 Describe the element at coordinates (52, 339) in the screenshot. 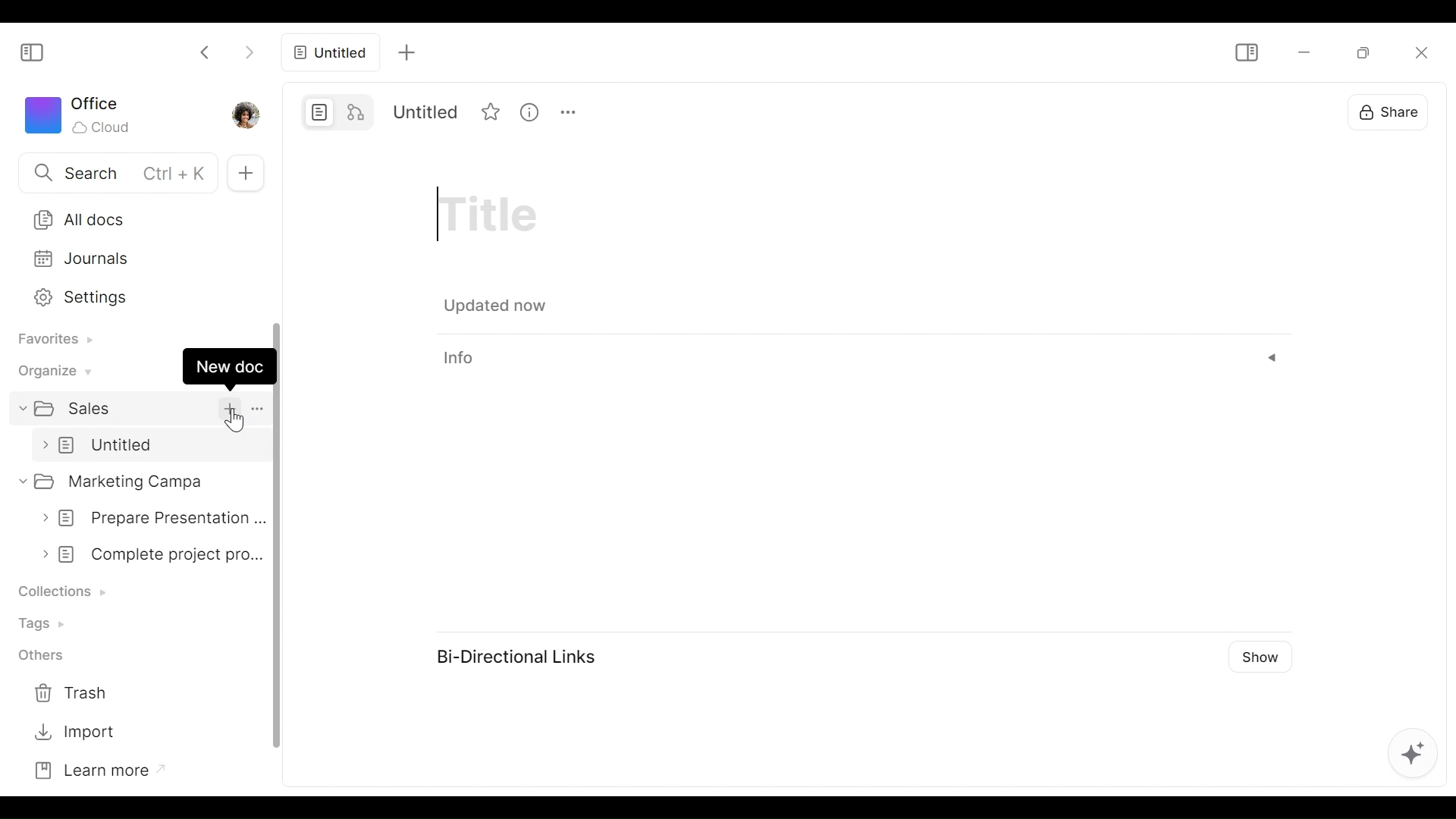

I see `Favorites` at that location.